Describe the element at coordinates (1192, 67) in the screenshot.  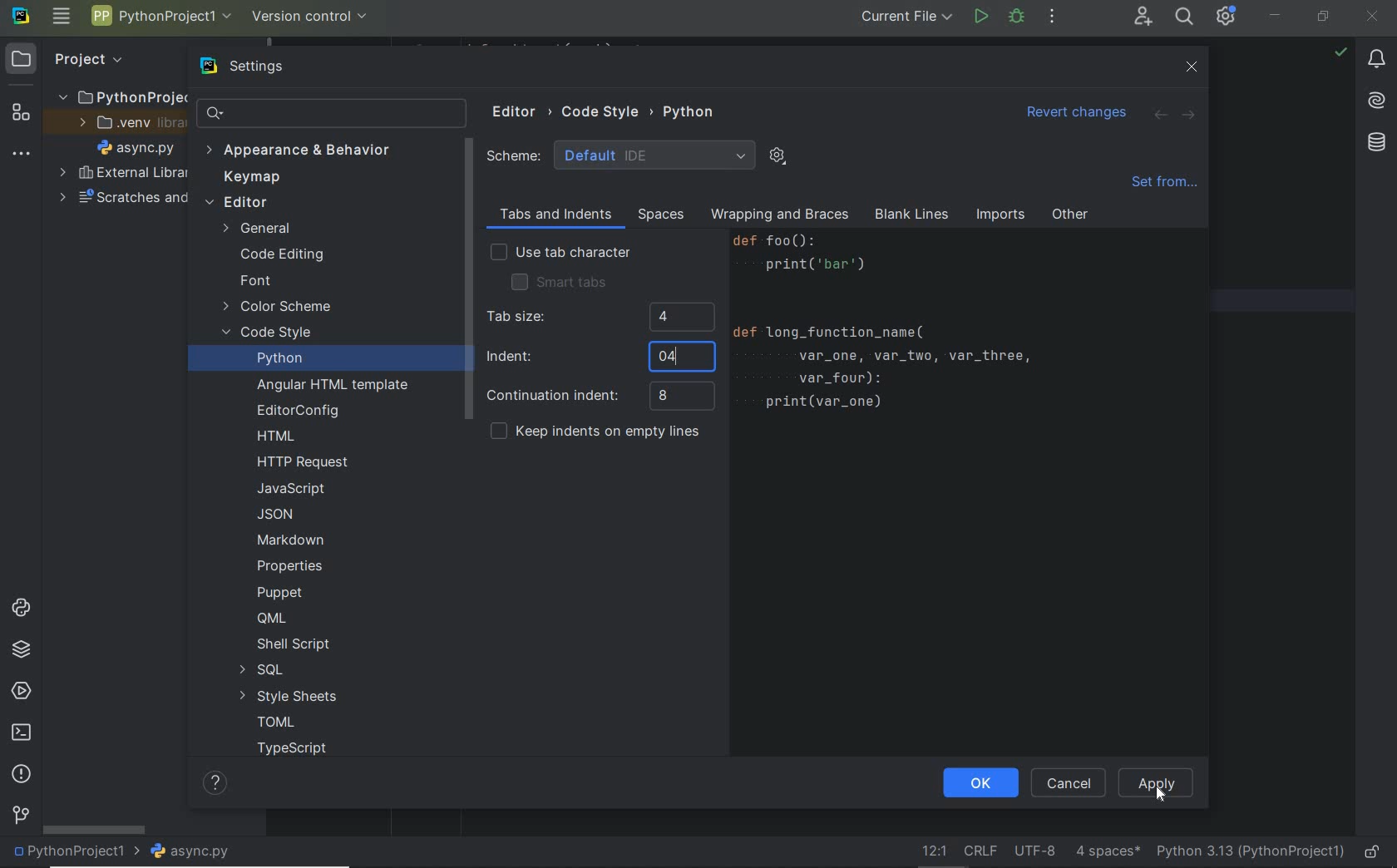
I see `close` at that location.